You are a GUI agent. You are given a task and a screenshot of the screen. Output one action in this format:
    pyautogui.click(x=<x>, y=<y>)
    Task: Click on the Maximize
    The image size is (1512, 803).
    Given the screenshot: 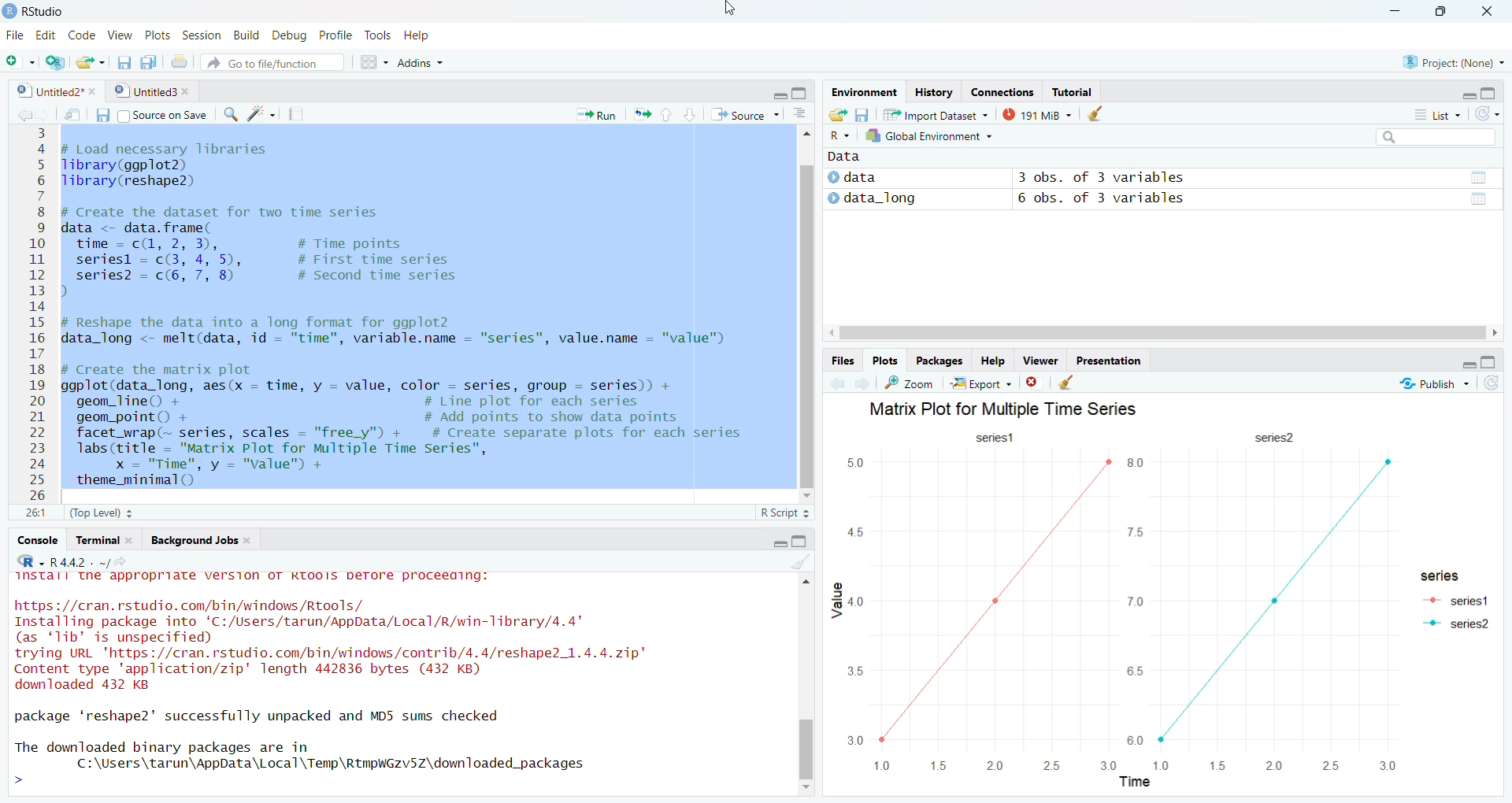 What is the action you would take?
    pyautogui.click(x=1444, y=11)
    